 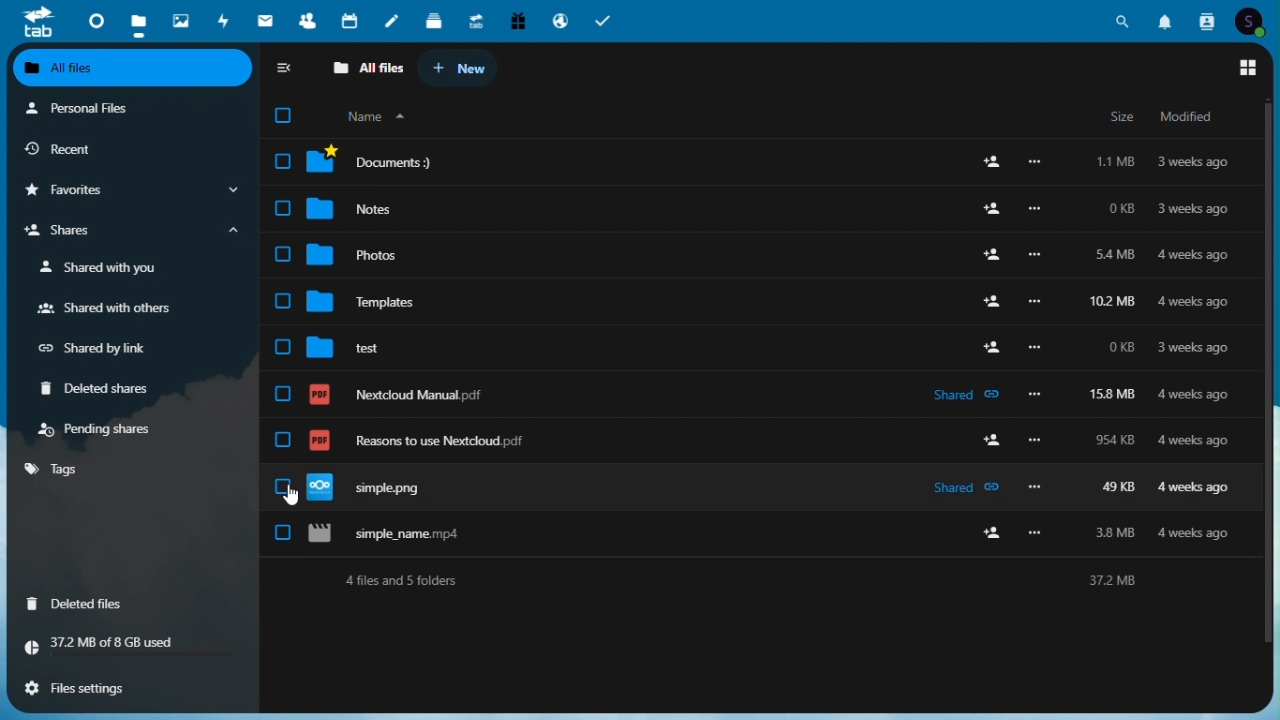 What do you see at coordinates (126, 686) in the screenshot?
I see `file settings` at bounding box center [126, 686].